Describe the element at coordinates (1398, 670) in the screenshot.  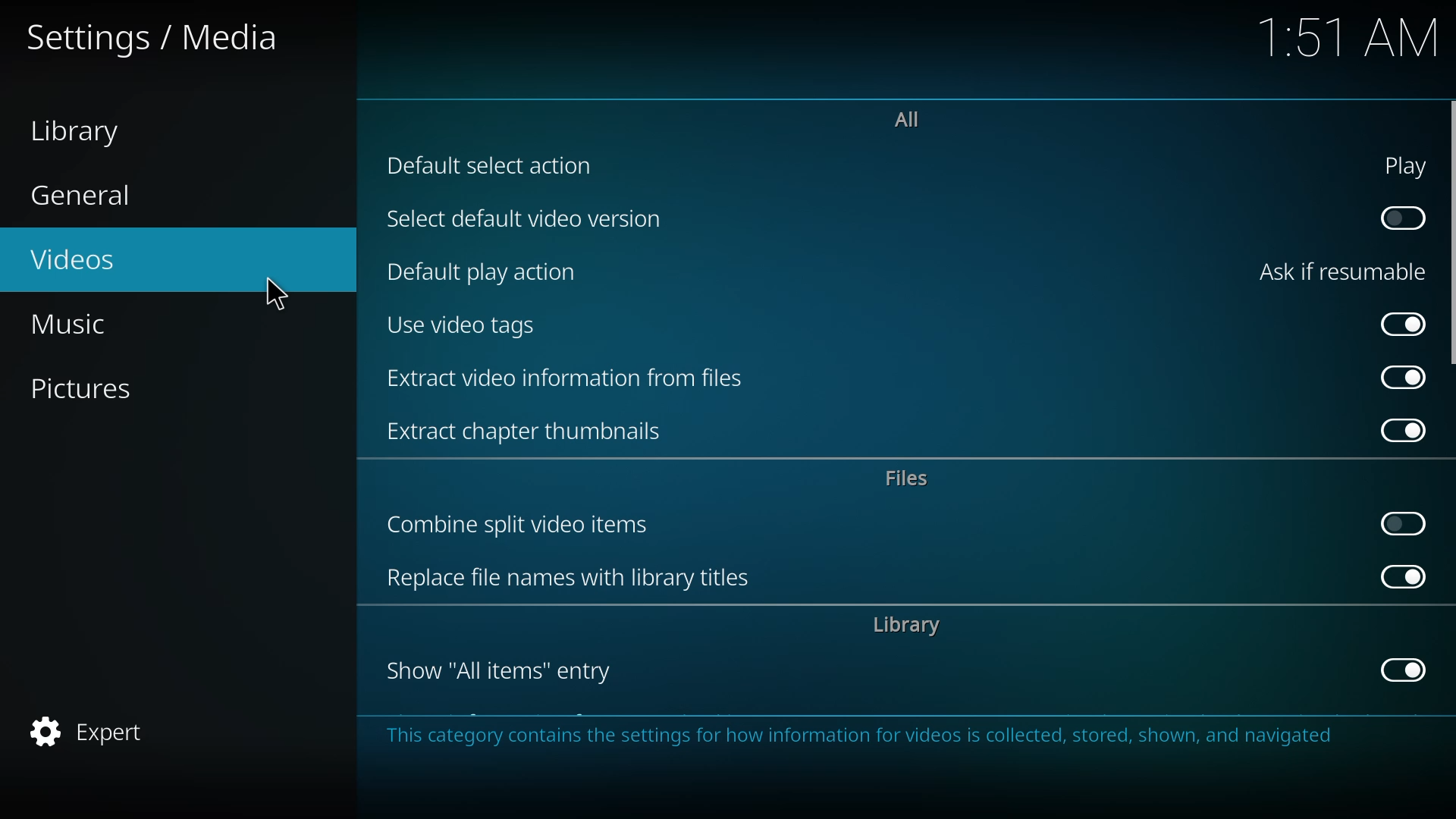
I see `enabled` at that location.